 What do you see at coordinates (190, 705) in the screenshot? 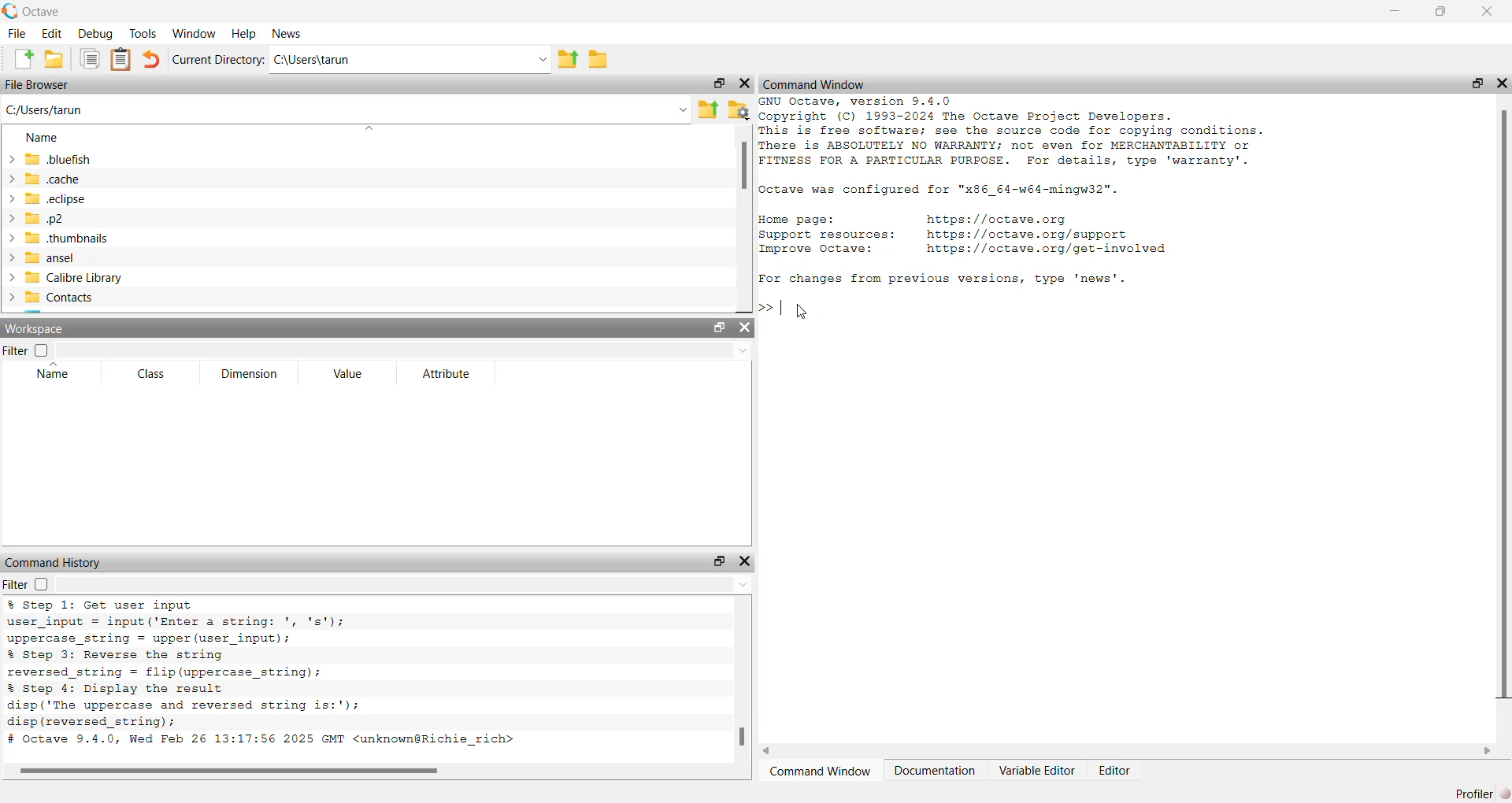
I see `code to display the result` at bounding box center [190, 705].